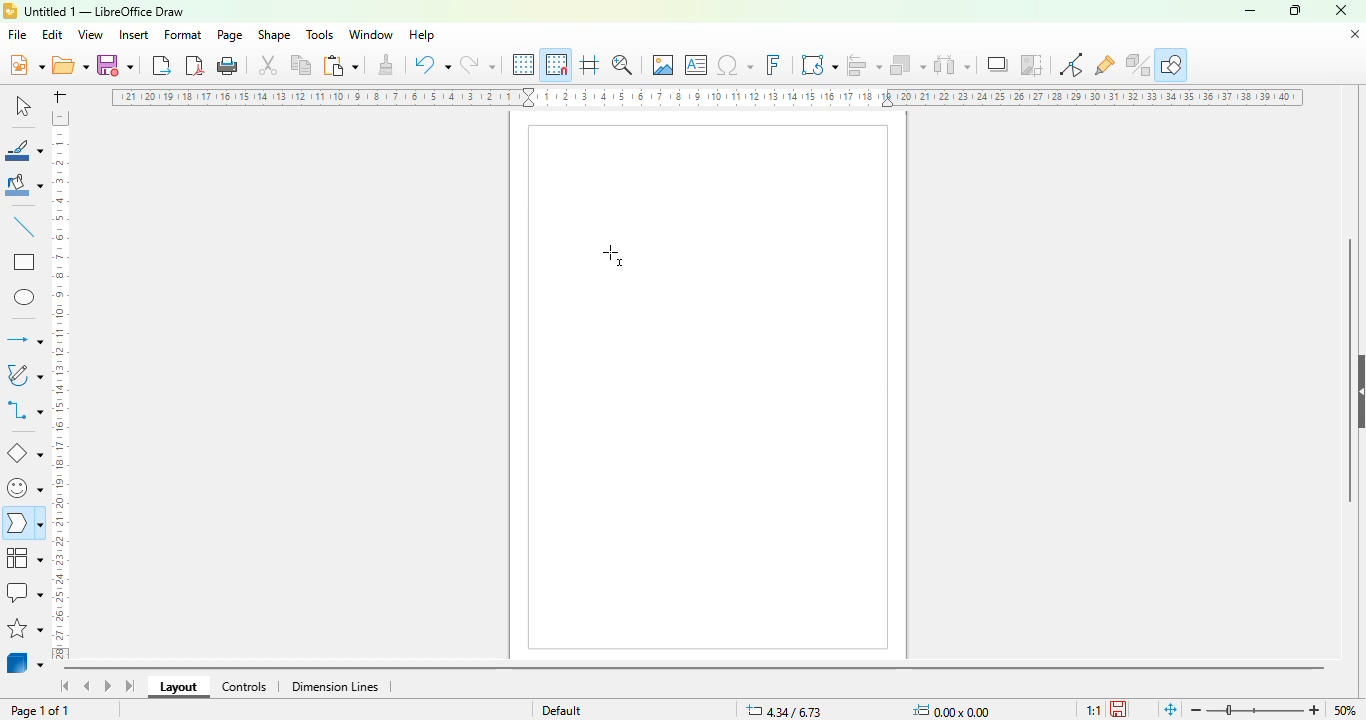 This screenshot has height=720, width=1366. I want to click on close document, so click(1355, 35).